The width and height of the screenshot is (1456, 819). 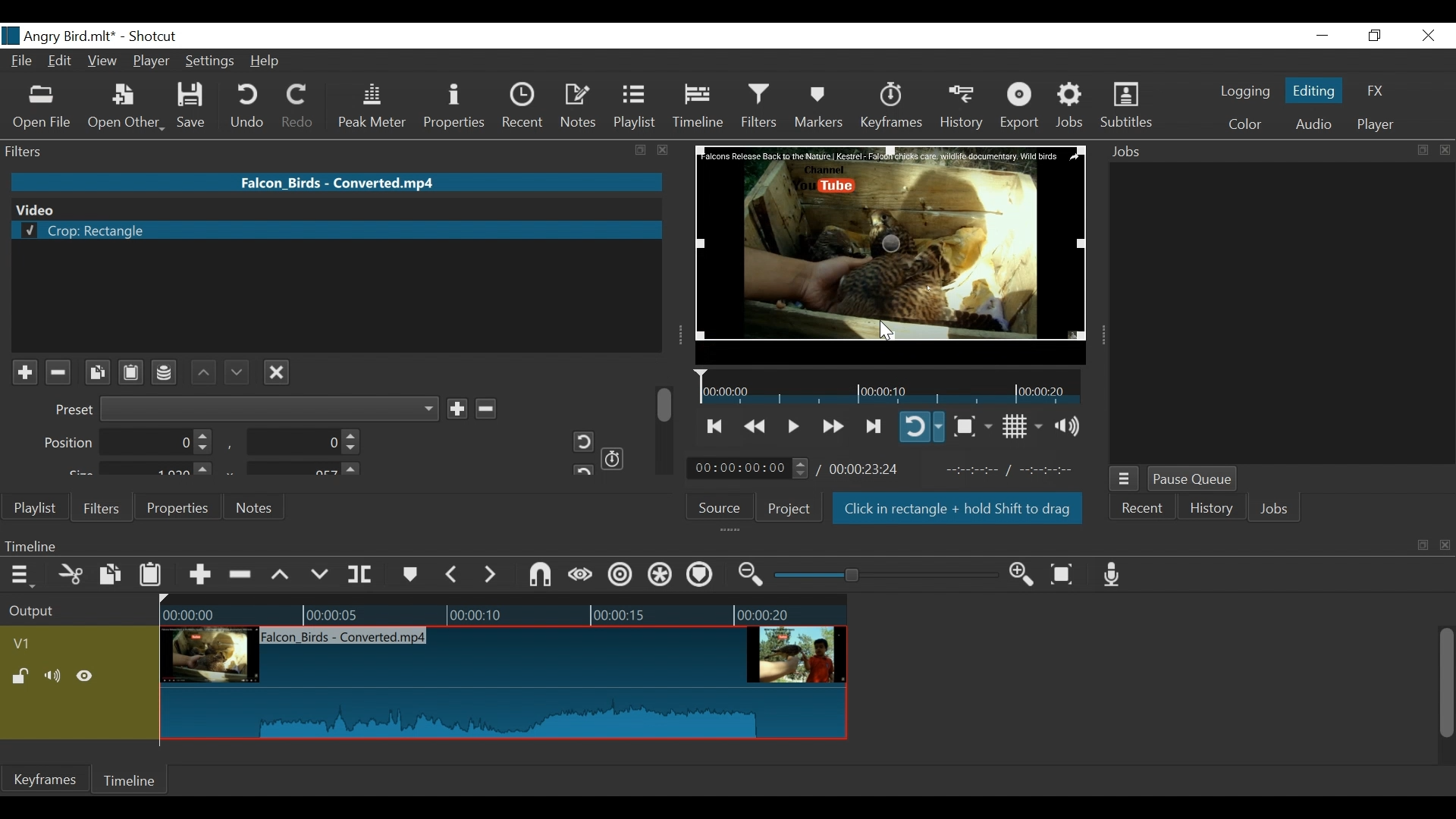 What do you see at coordinates (62, 62) in the screenshot?
I see `Edit` at bounding box center [62, 62].